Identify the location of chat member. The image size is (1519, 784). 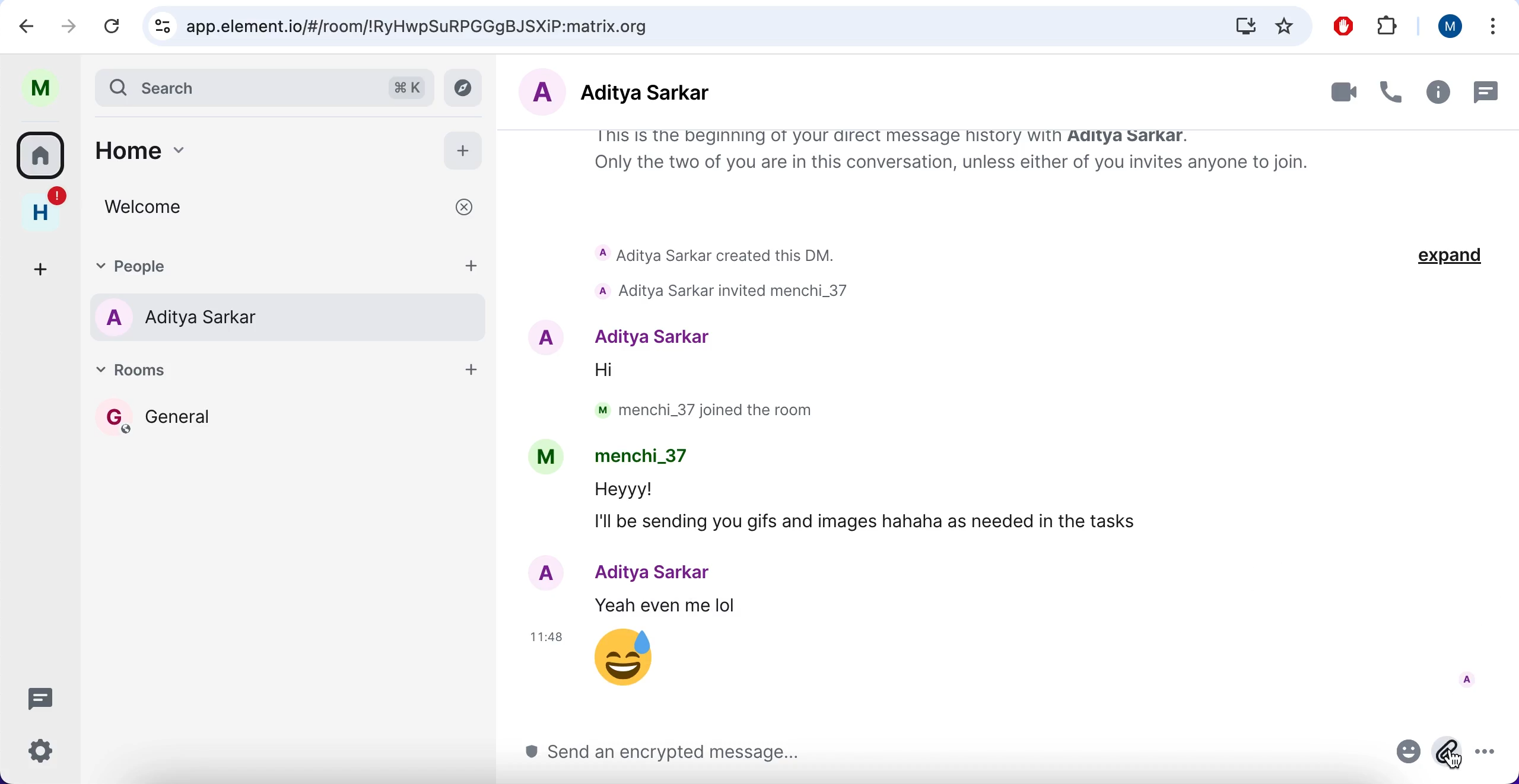
(663, 93).